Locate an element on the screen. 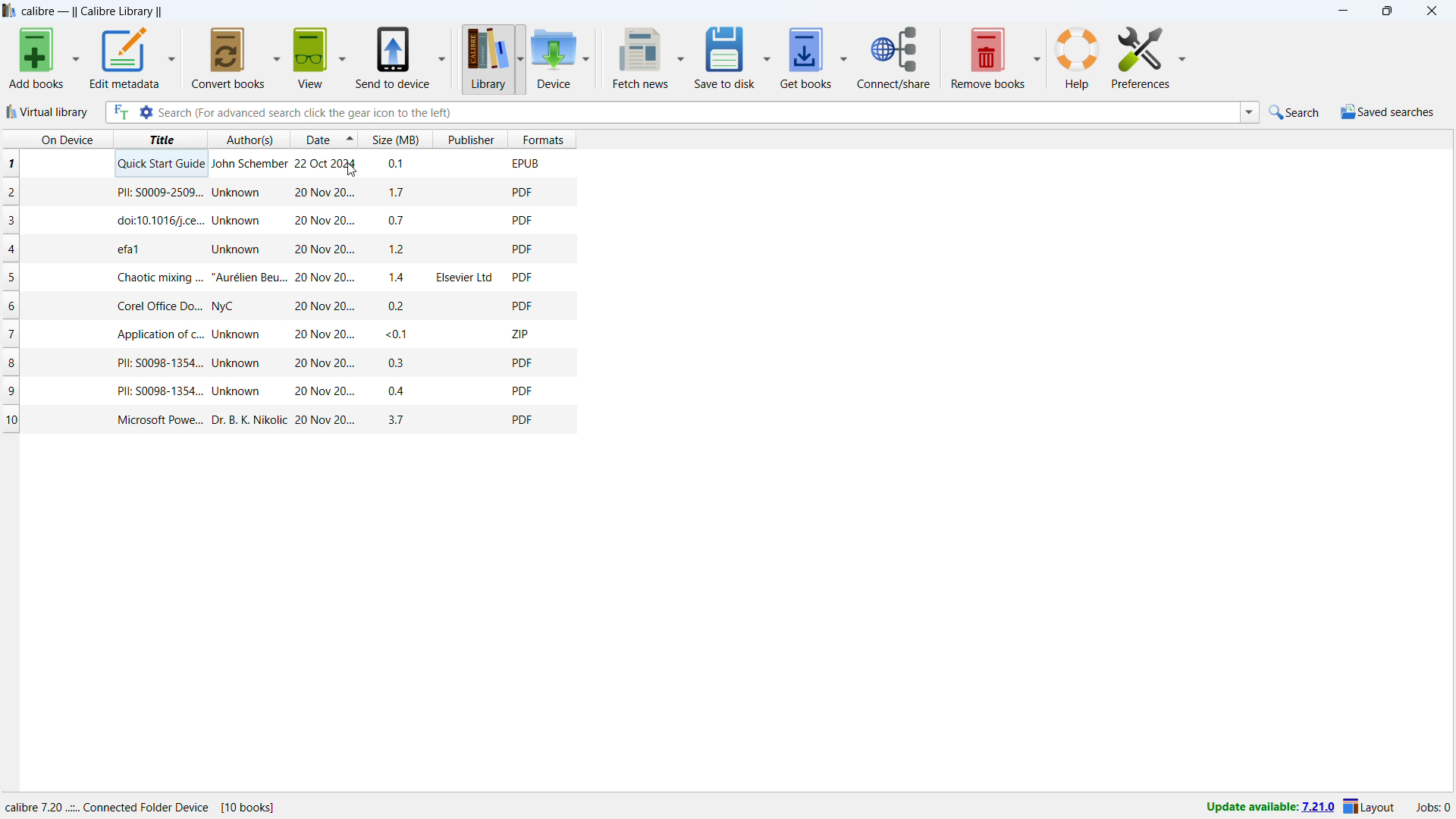 This screenshot has height=819, width=1456. enter search string is located at coordinates (698, 112).